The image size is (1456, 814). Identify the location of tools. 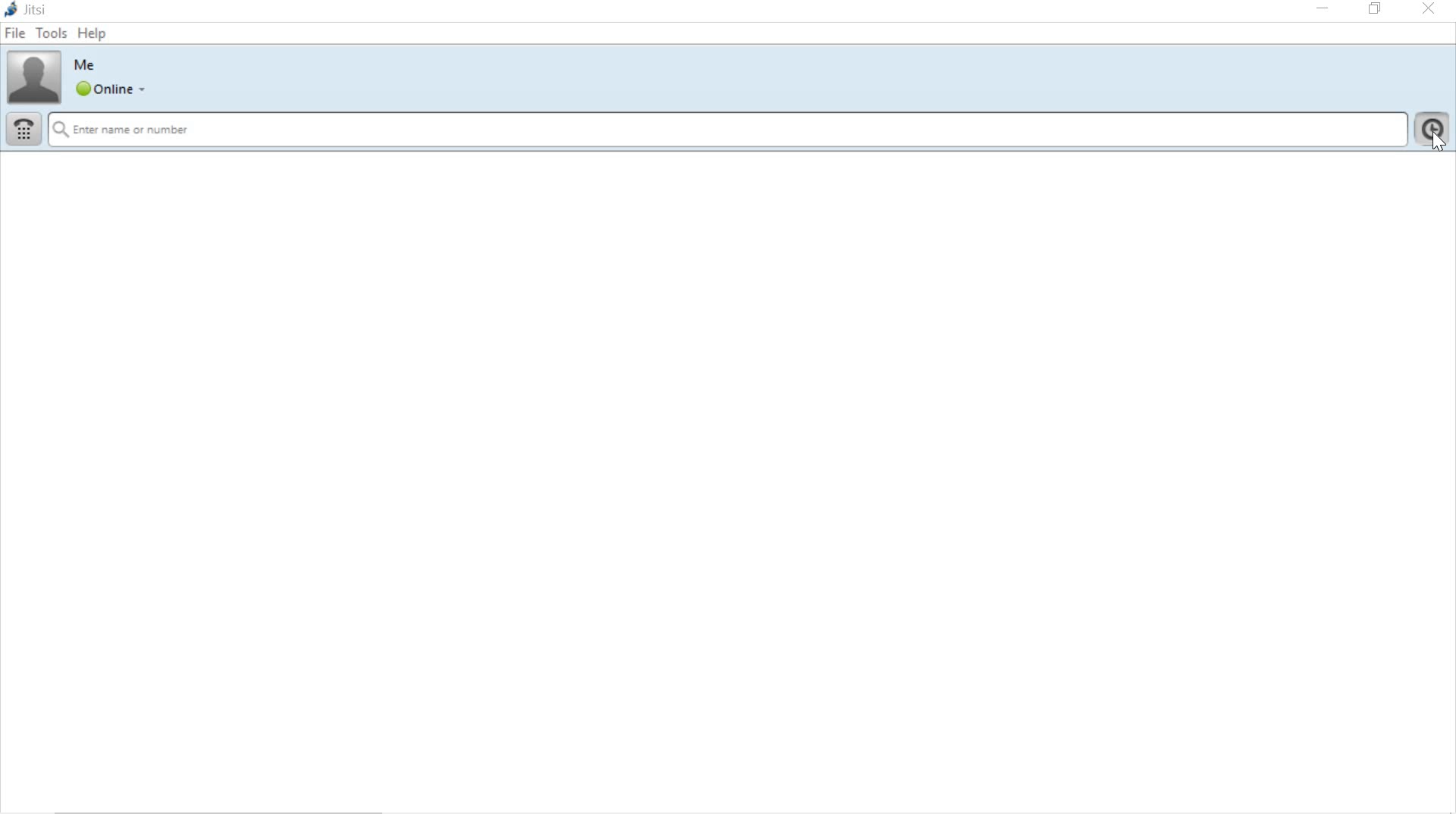
(51, 33).